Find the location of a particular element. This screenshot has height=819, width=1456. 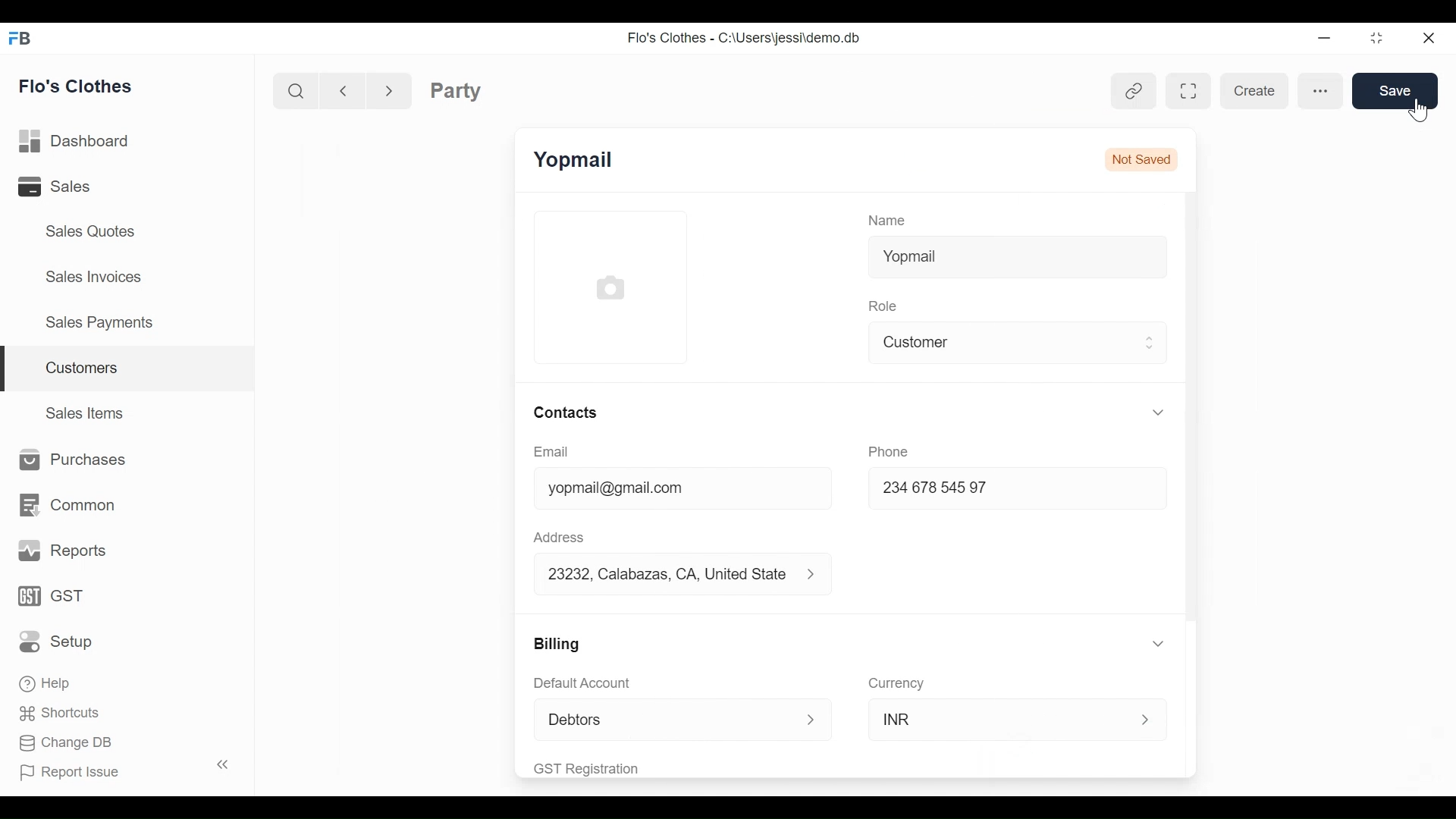

Toggle between form and full width view is located at coordinates (1185, 88).